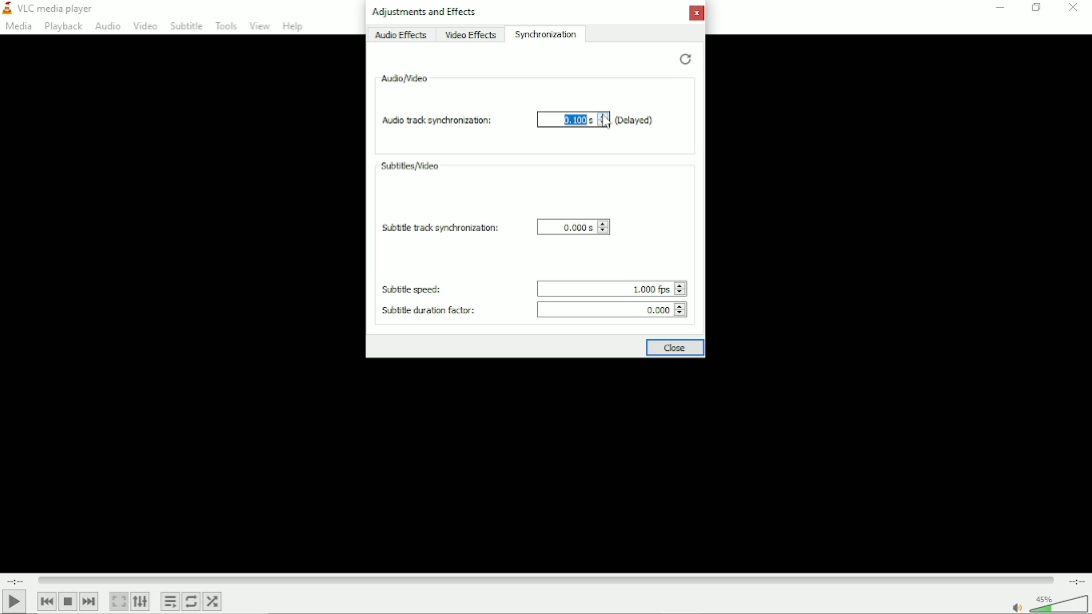 The width and height of the screenshot is (1092, 614). What do you see at coordinates (213, 601) in the screenshot?
I see `Random` at bounding box center [213, 601].